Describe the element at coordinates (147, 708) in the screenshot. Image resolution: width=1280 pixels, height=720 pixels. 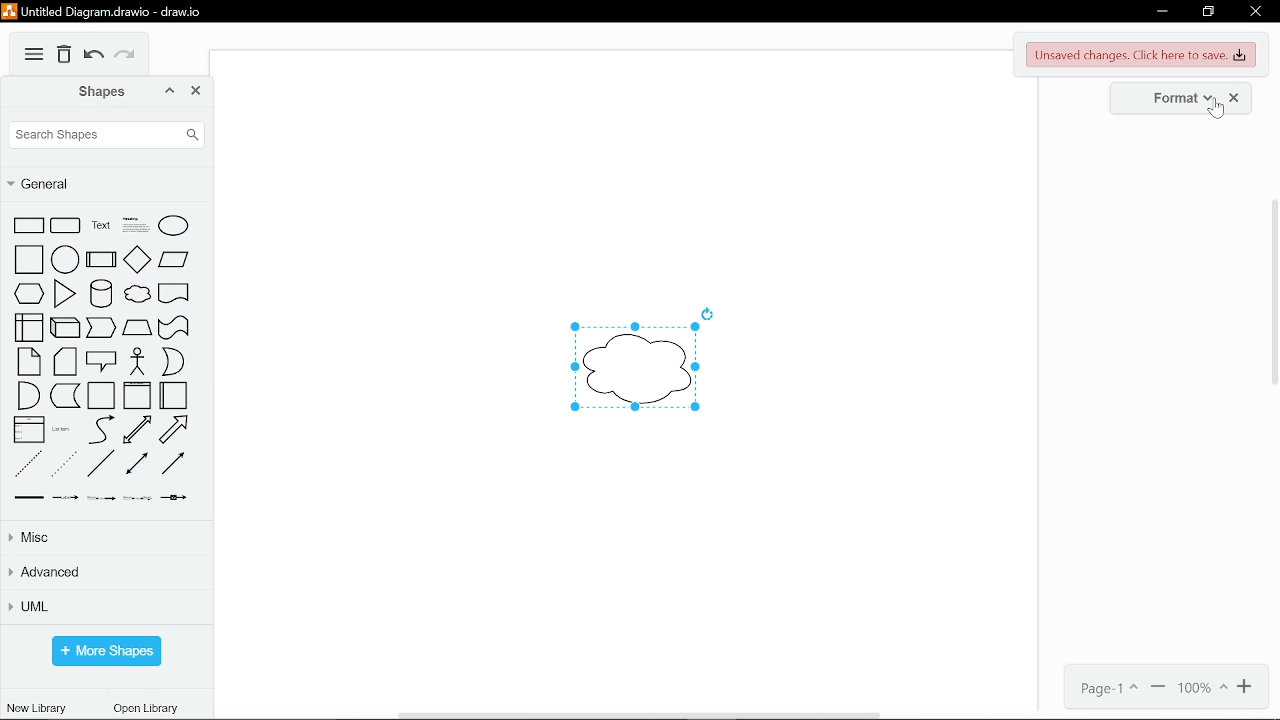
I see `open library` at that location.